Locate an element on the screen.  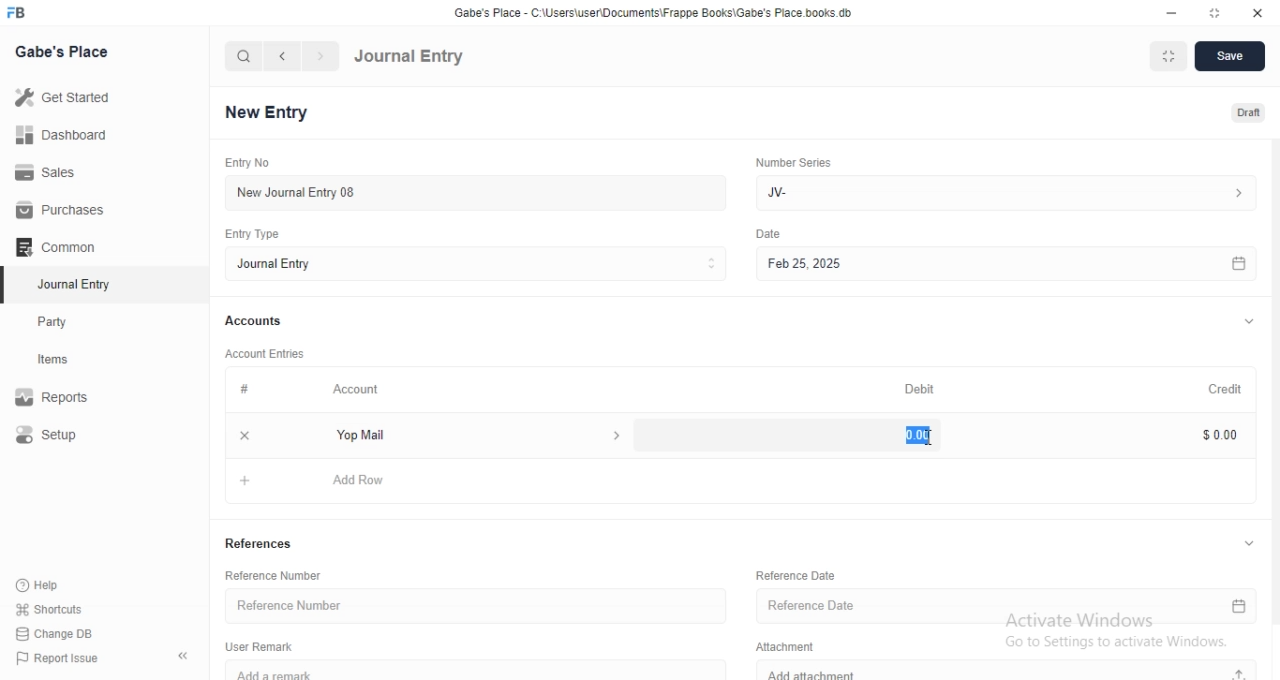
resize is located at coordinates (1211, 12).